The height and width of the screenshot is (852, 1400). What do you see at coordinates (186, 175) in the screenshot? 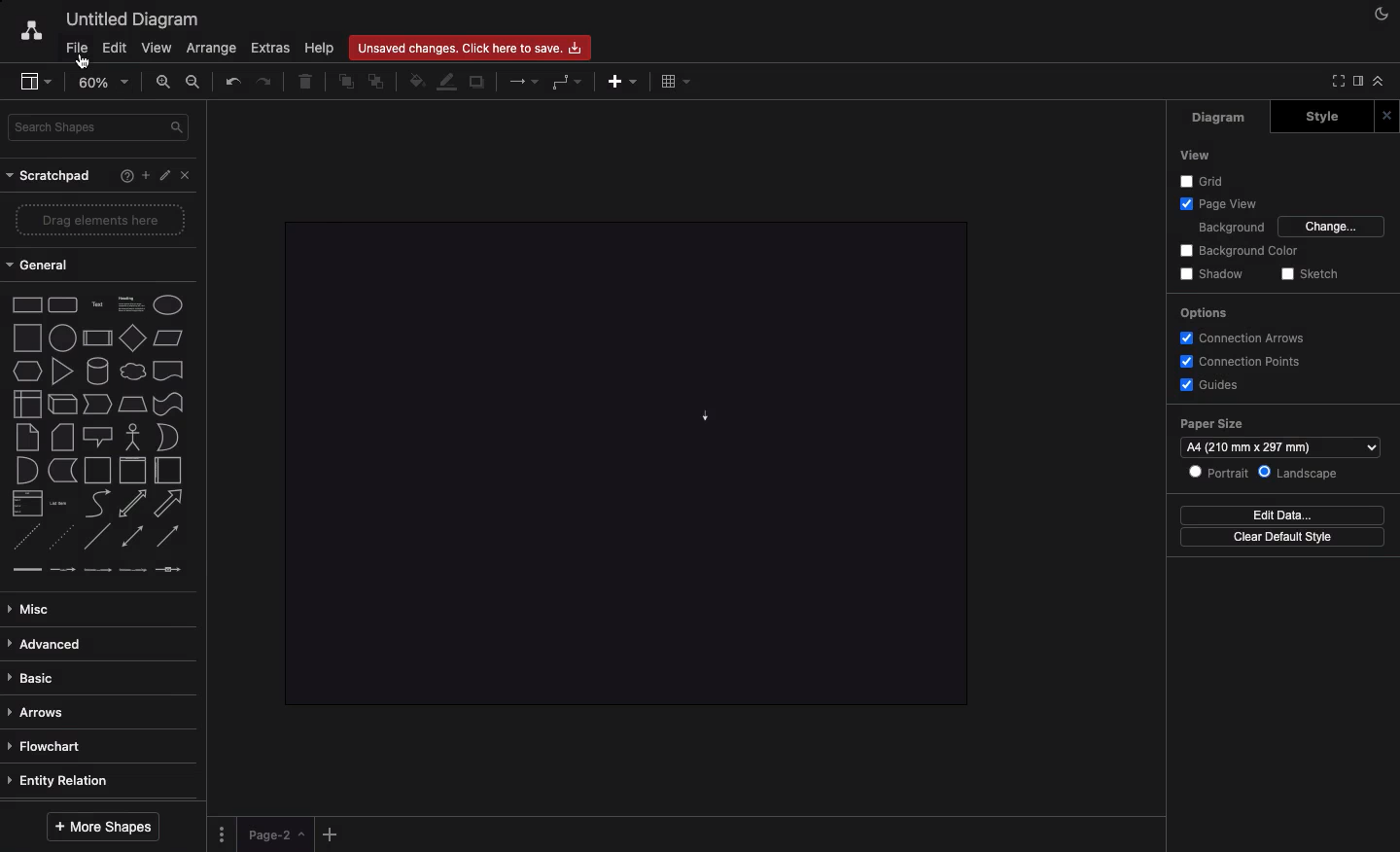
I see `Close` at bounding box center [186, 175].